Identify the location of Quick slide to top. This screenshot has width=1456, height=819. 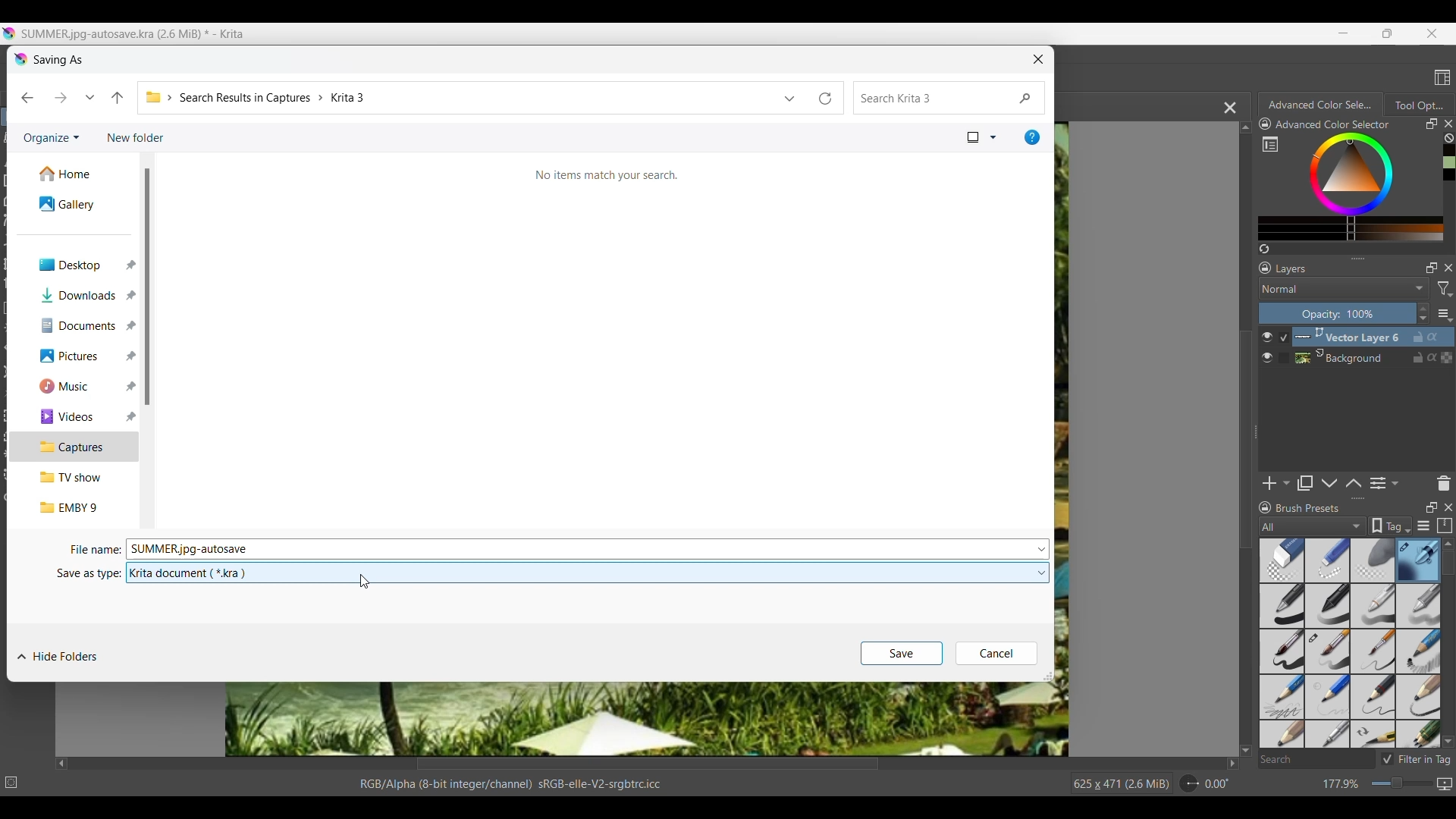
(1245, 127).